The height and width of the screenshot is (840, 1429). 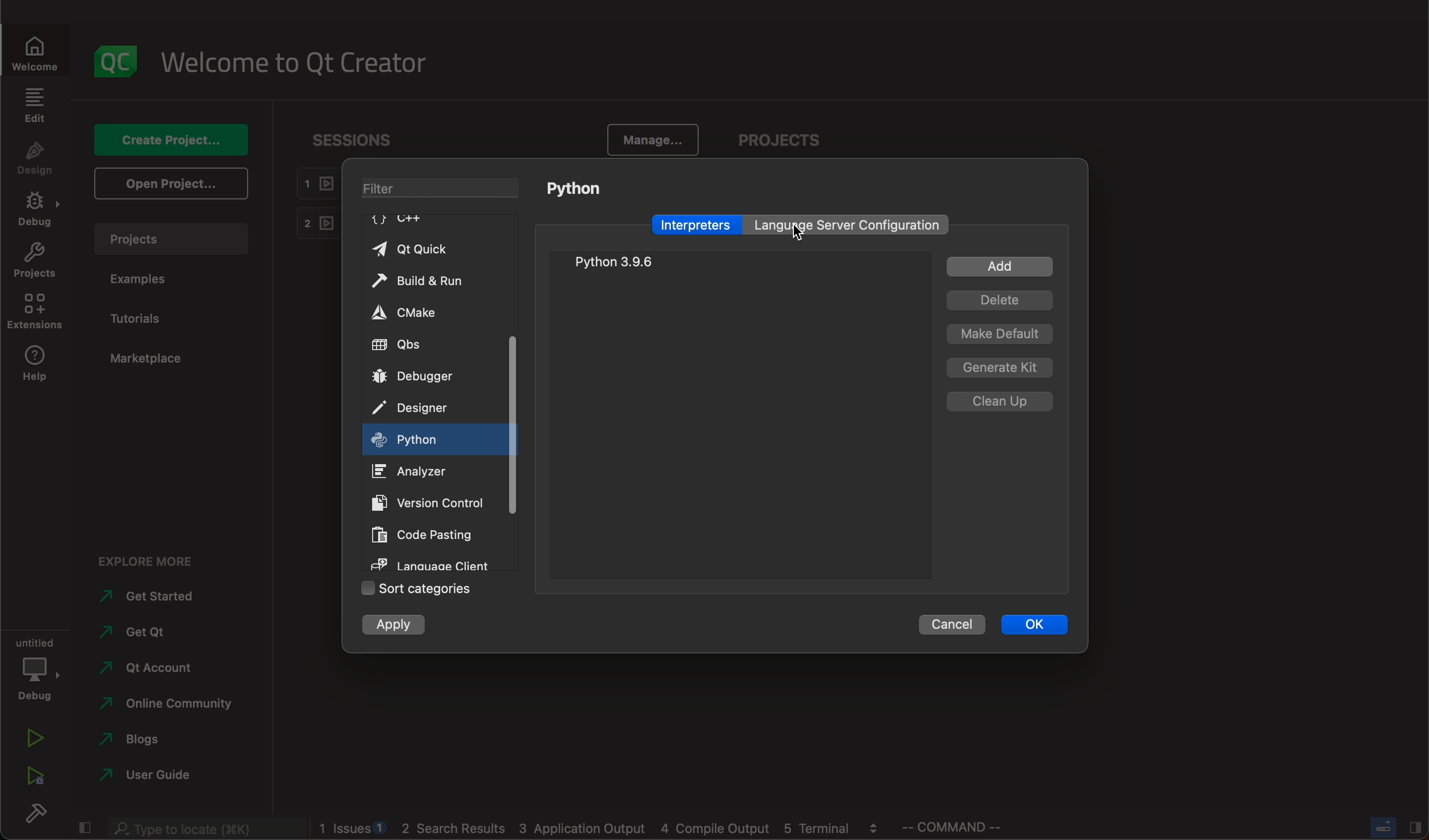 What do you see at coordinates (33, 311) in the screenshot?
I see `extenstions` at bounding box center [33, 311].